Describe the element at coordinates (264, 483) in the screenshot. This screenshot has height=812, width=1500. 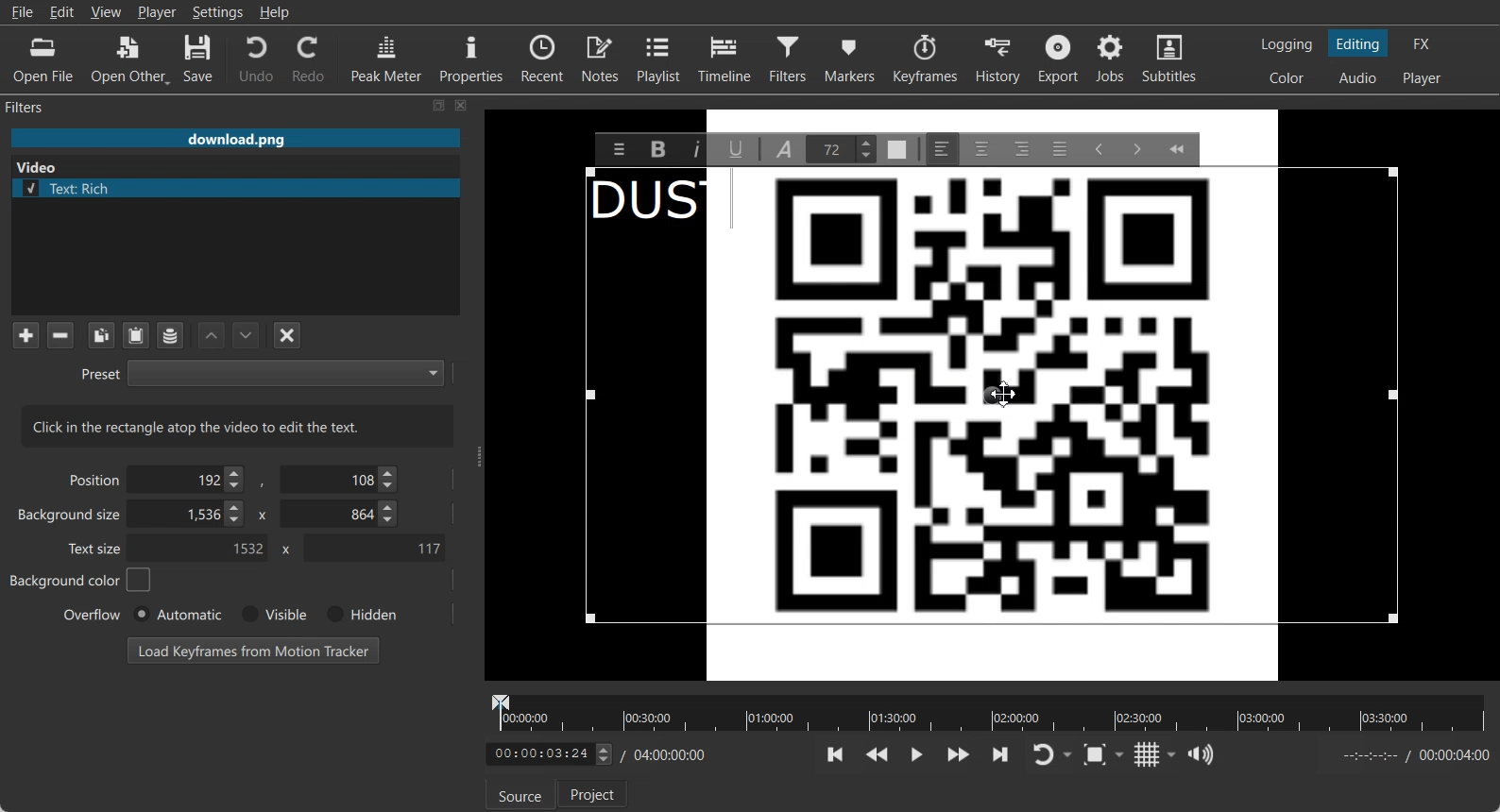
I see `,` at that location.